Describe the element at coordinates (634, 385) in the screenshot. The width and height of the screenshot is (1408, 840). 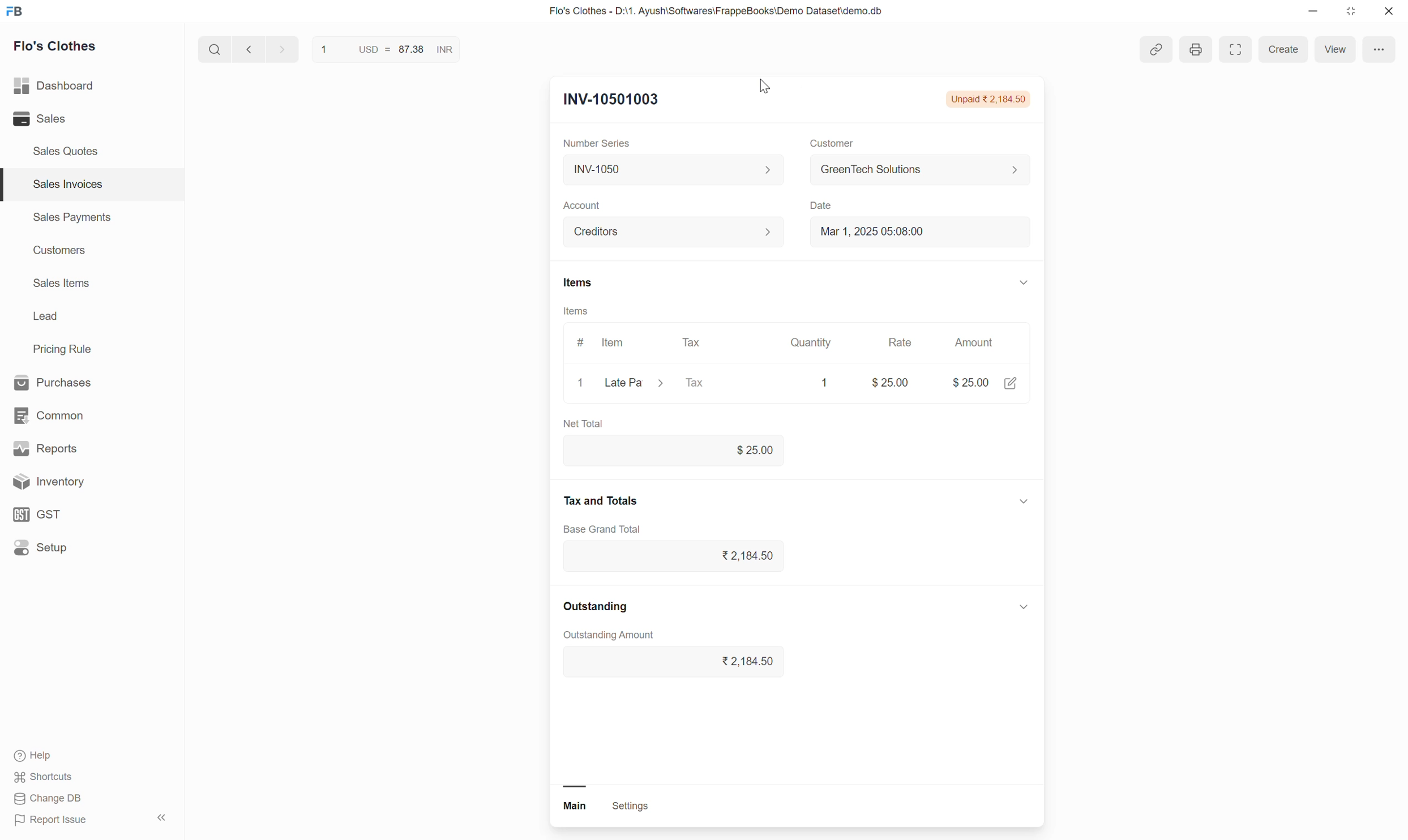
I see `Select item` at that location.